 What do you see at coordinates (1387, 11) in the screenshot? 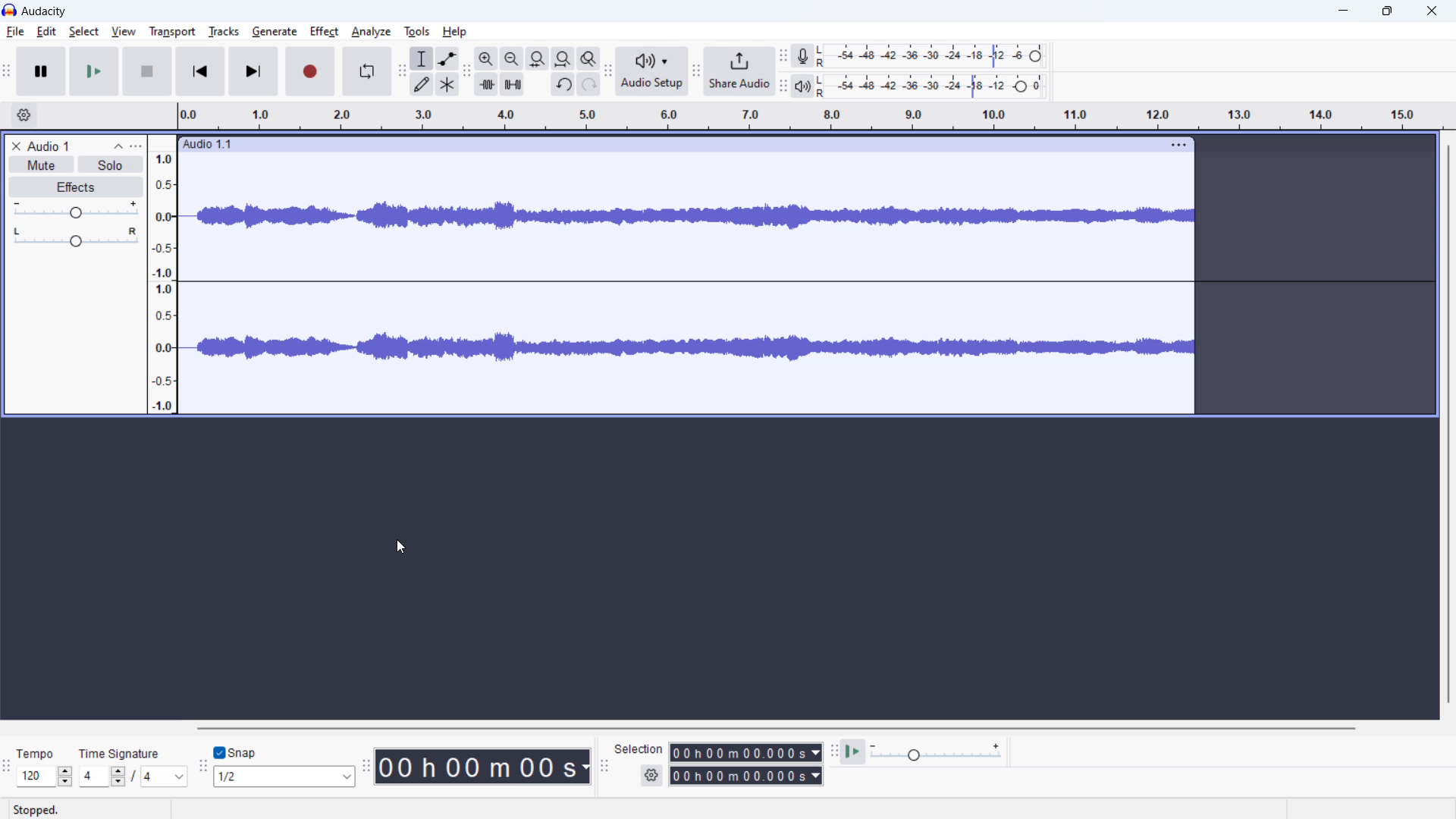
I see `maximize` at bounding box center [1387, 11].